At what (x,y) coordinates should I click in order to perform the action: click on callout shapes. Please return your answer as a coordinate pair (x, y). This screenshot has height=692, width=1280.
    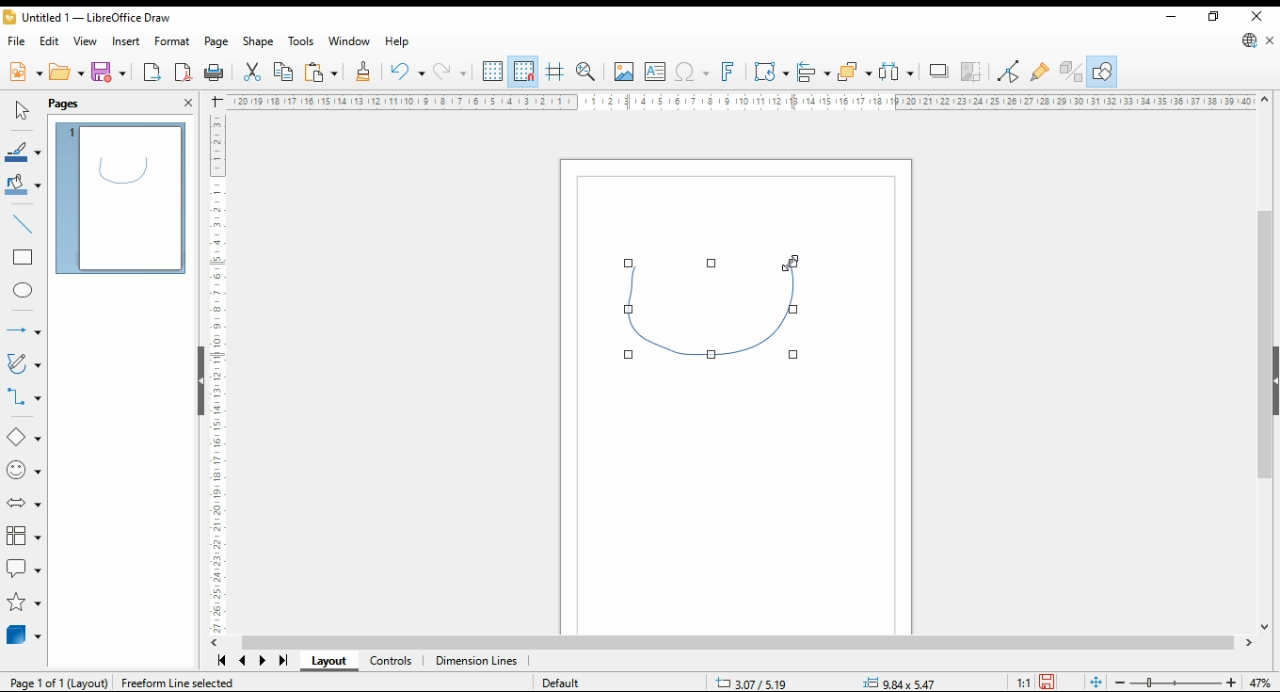
    Looking at the image, I should click on (23, 569).